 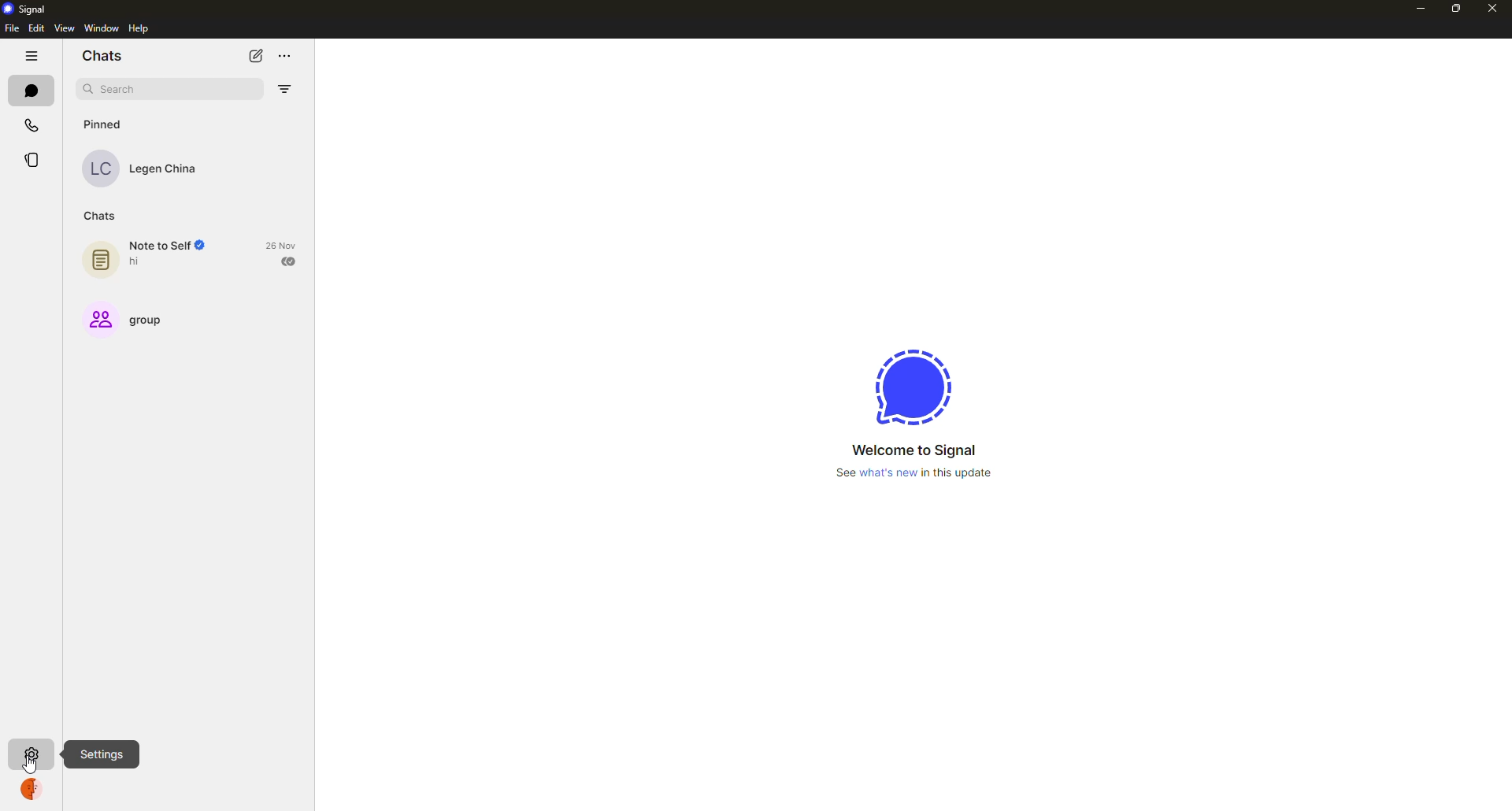 What do you see at coordinates (905, 389) in the screenshot?
I see `signal` at bounding box center [905, 389].